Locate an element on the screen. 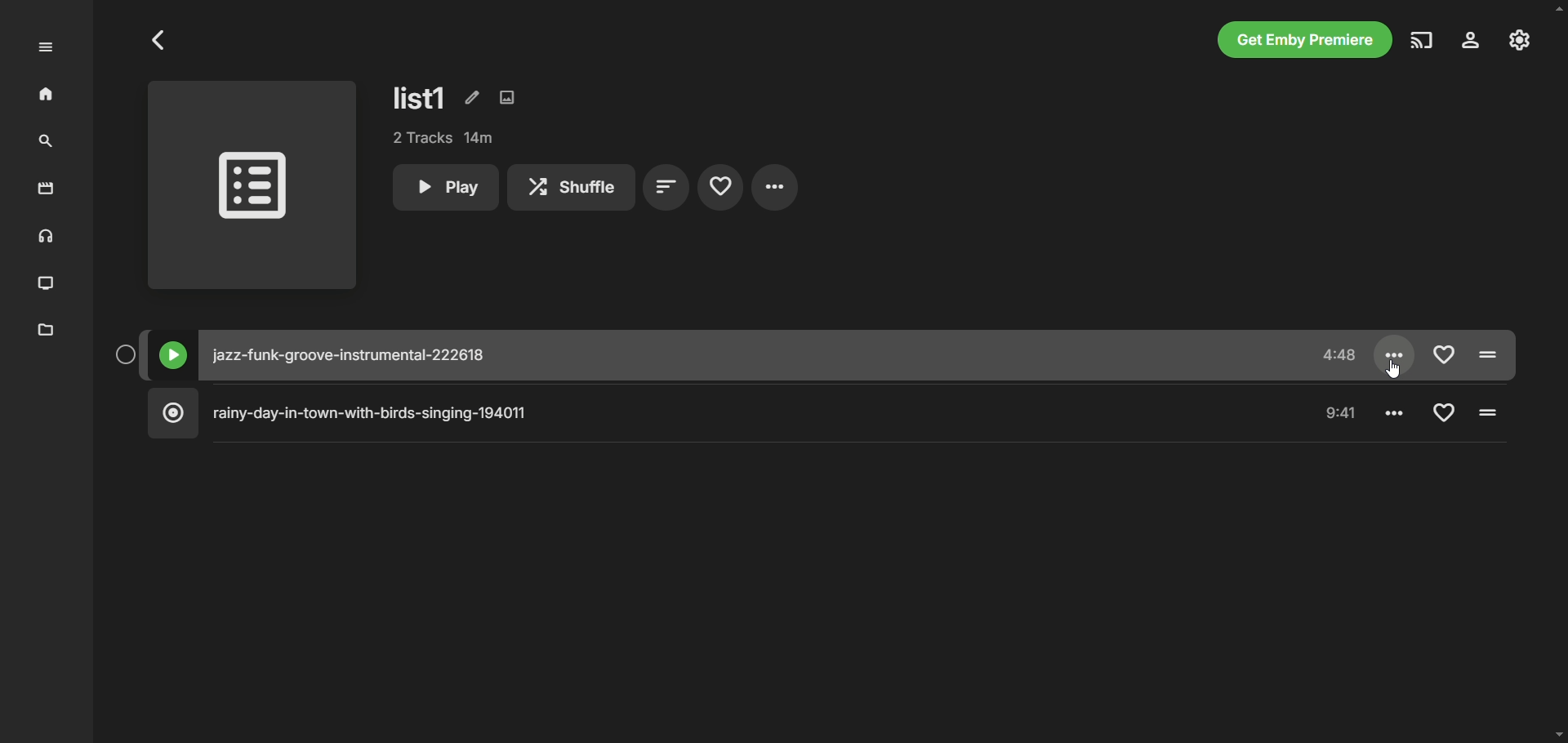  TV shows is located at coordinates (47, 284).